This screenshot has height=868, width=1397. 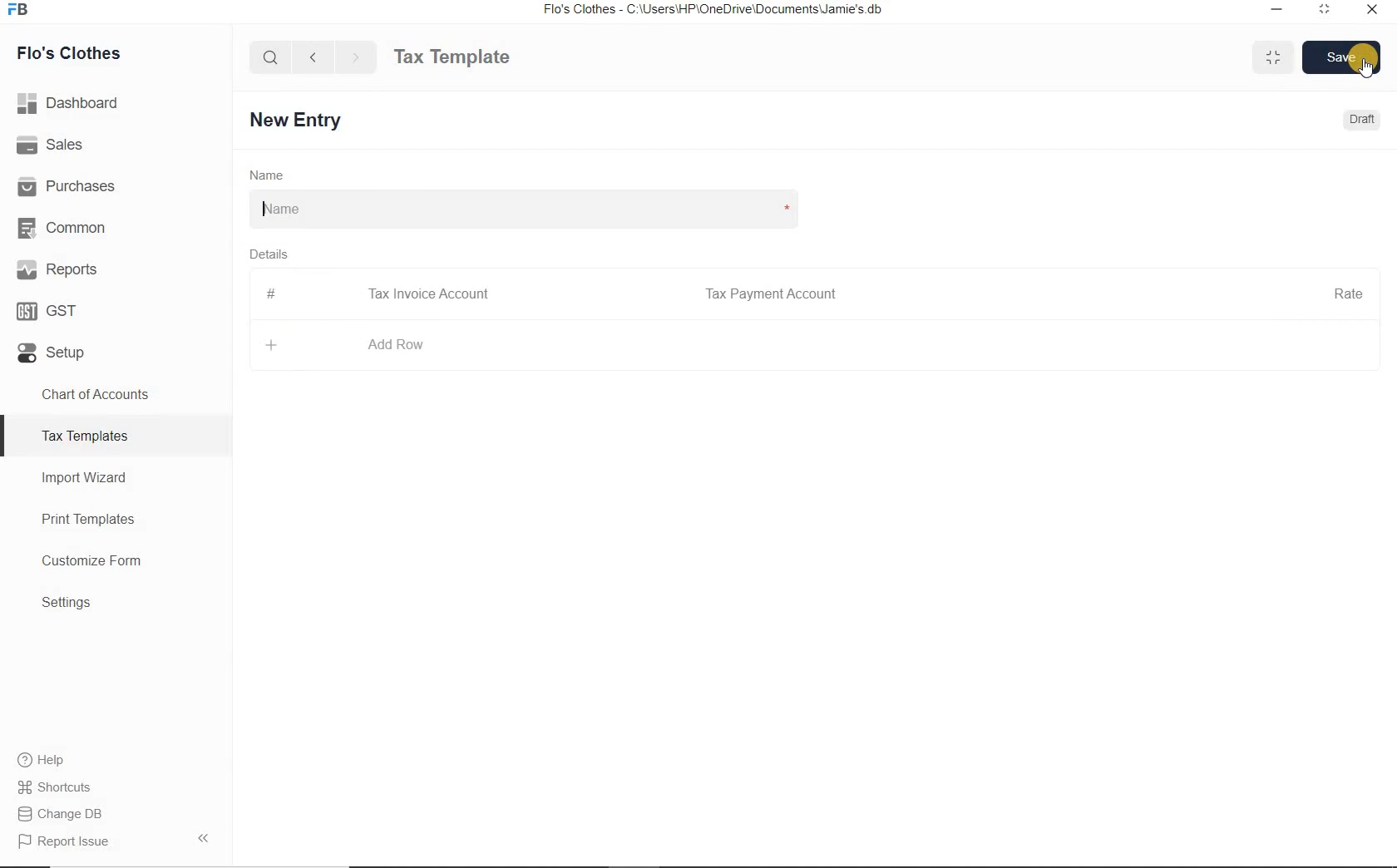 I want to click on Report Issue, so click(x=116, y=841).